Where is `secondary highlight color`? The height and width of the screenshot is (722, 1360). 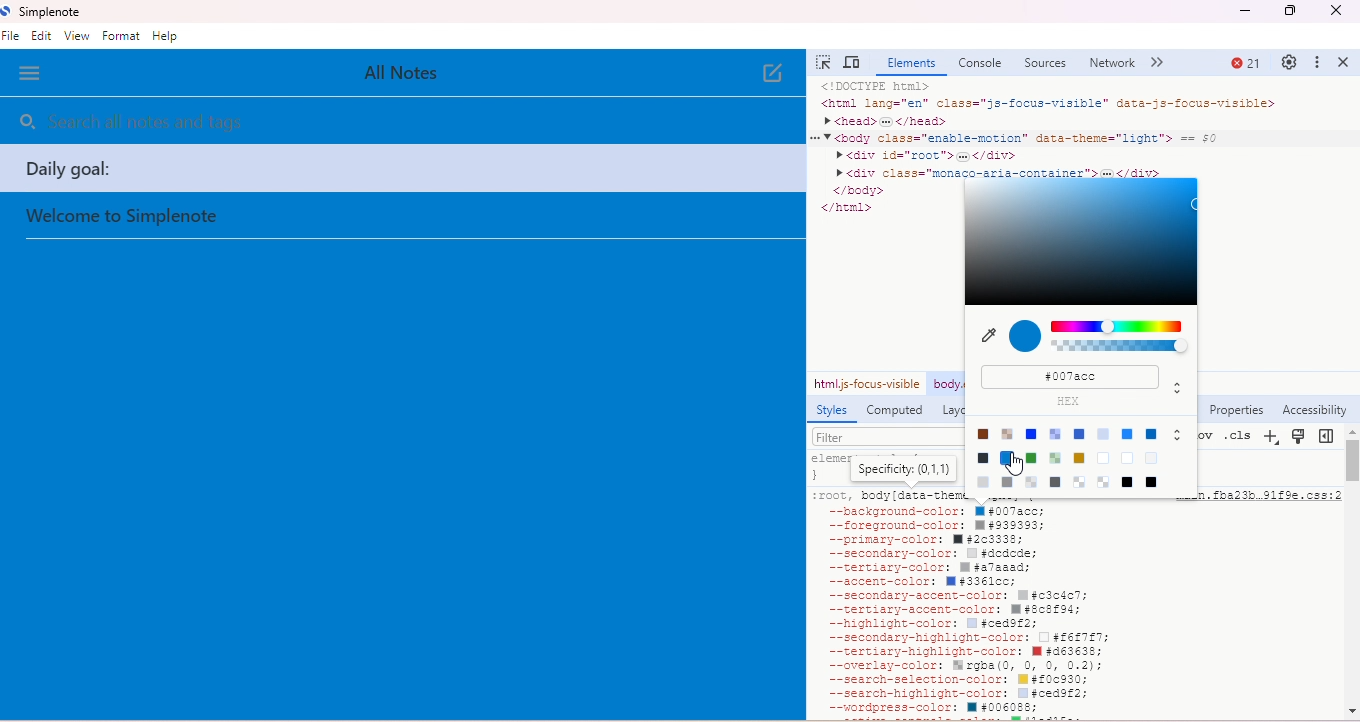
secondary highlight color is located at coordinates (958, 638).